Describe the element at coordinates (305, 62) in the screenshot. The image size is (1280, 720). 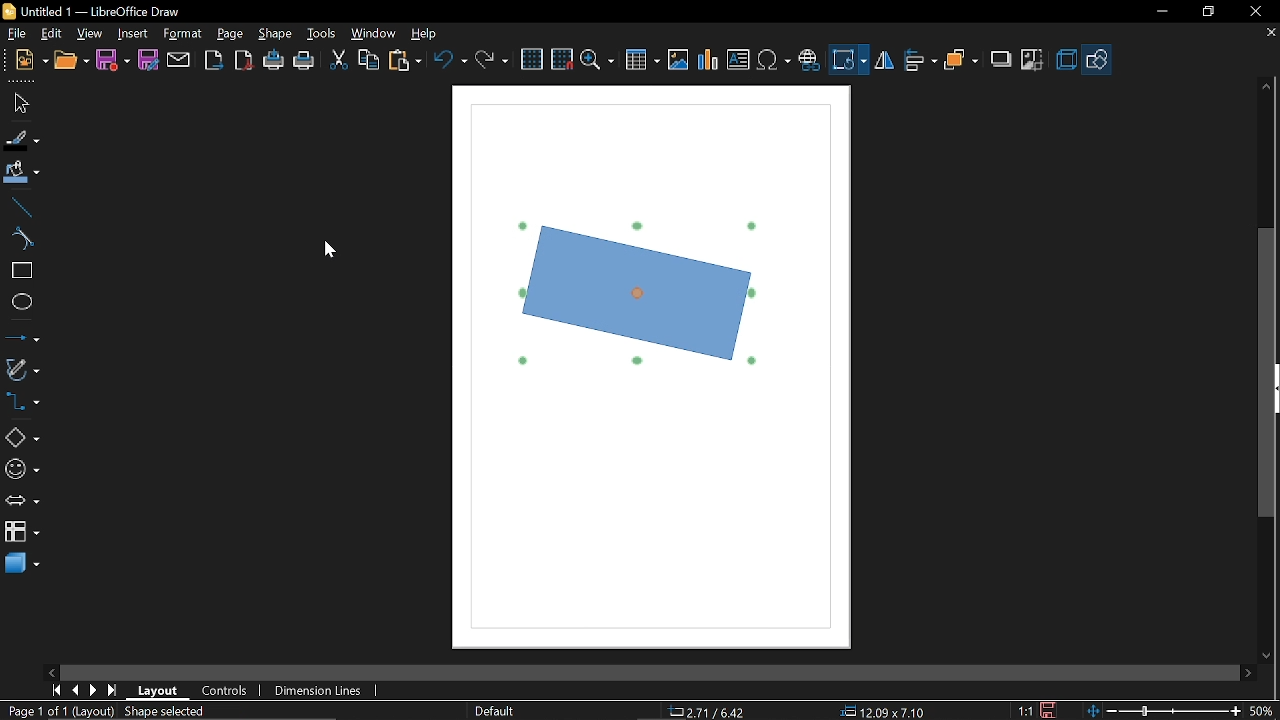
I see `print` at that location.